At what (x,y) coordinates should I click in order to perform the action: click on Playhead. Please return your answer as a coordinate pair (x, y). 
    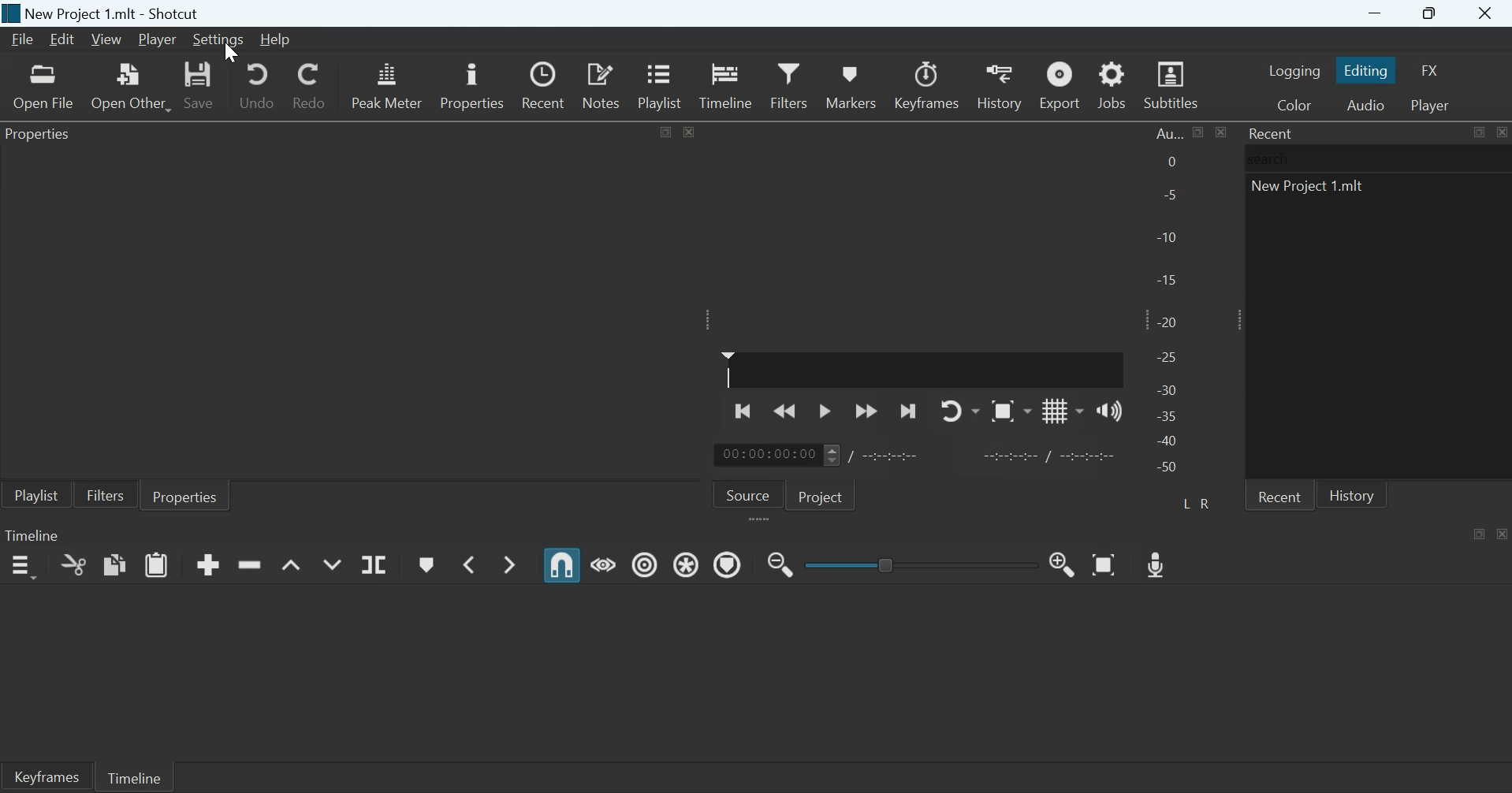
    Looking at the image, I should click on (728, 369).